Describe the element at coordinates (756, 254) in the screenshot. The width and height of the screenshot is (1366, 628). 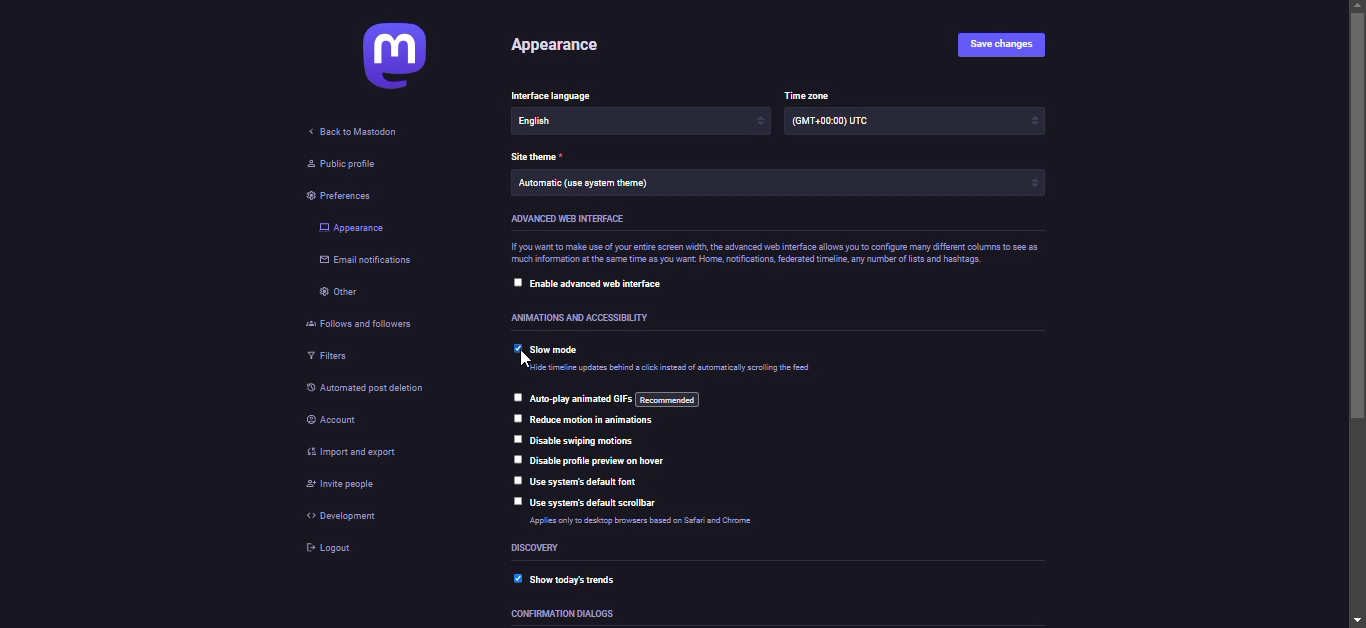
I see `if you want to make use of your entire screen  width, the advanced web interface allows you to configure many different columns to see as much information at the same time as you want Home, notifications, federated timeline, any number of lists and hashtags` at that location.